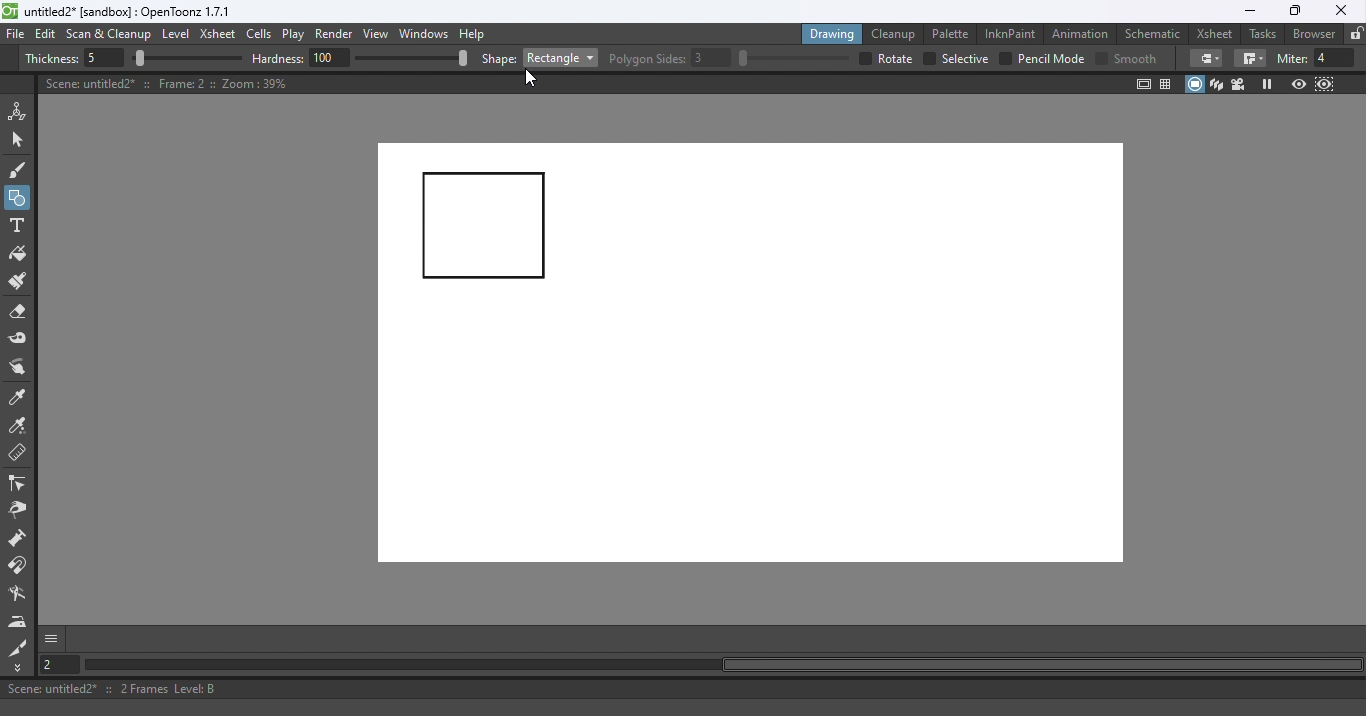  Describe the element at coordinates (1138, 58) in the screenshot. I see `smooth` at that location.